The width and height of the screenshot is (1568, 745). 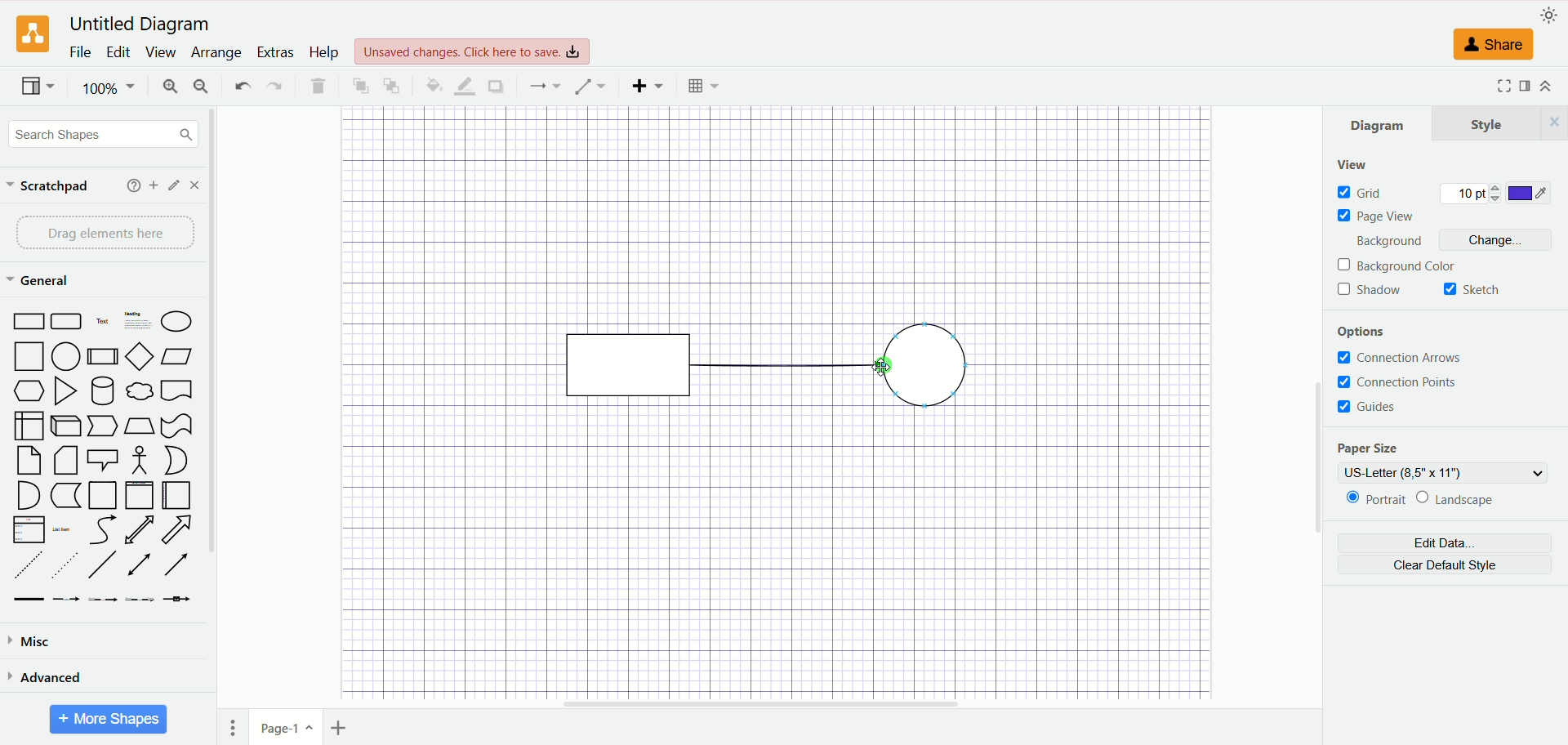 What do you see at coordinates (140, 25) in the screenshot?
I see `Untitled Diagram` at bounding box center [140, 25].